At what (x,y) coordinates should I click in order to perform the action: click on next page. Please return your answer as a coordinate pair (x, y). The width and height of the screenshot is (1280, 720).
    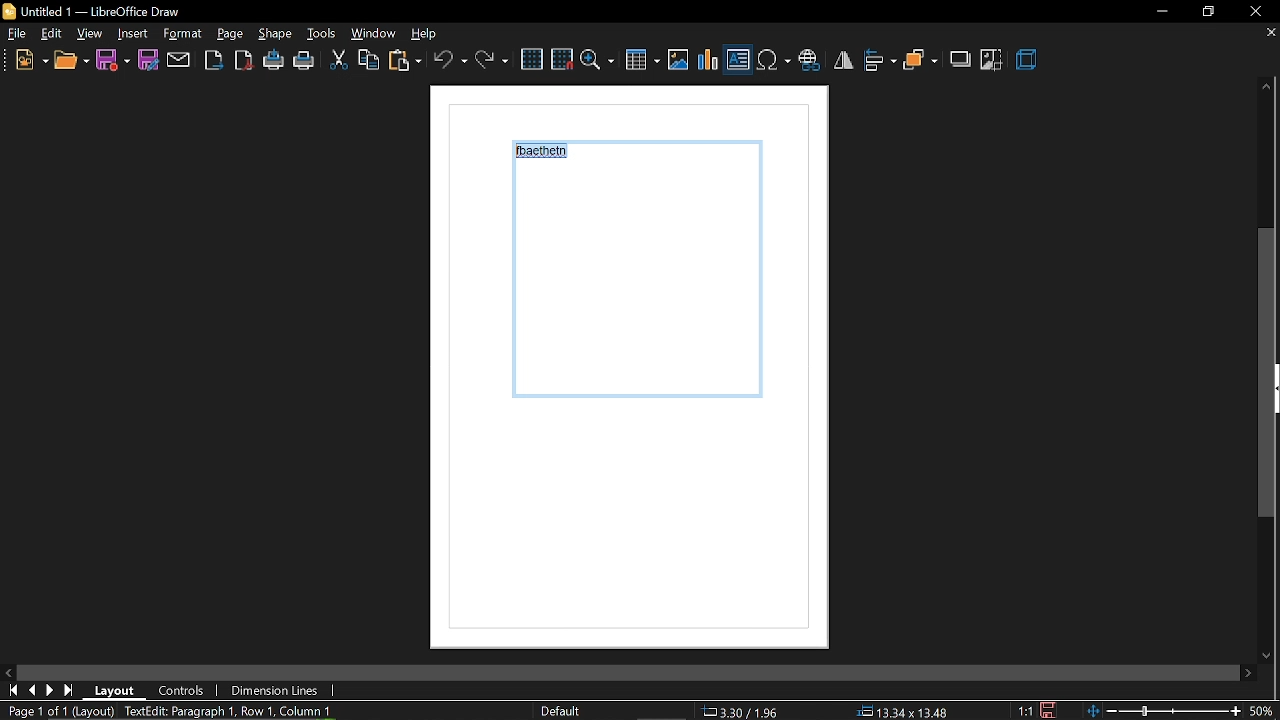
    Looking at the image, I should click on (50, 690).